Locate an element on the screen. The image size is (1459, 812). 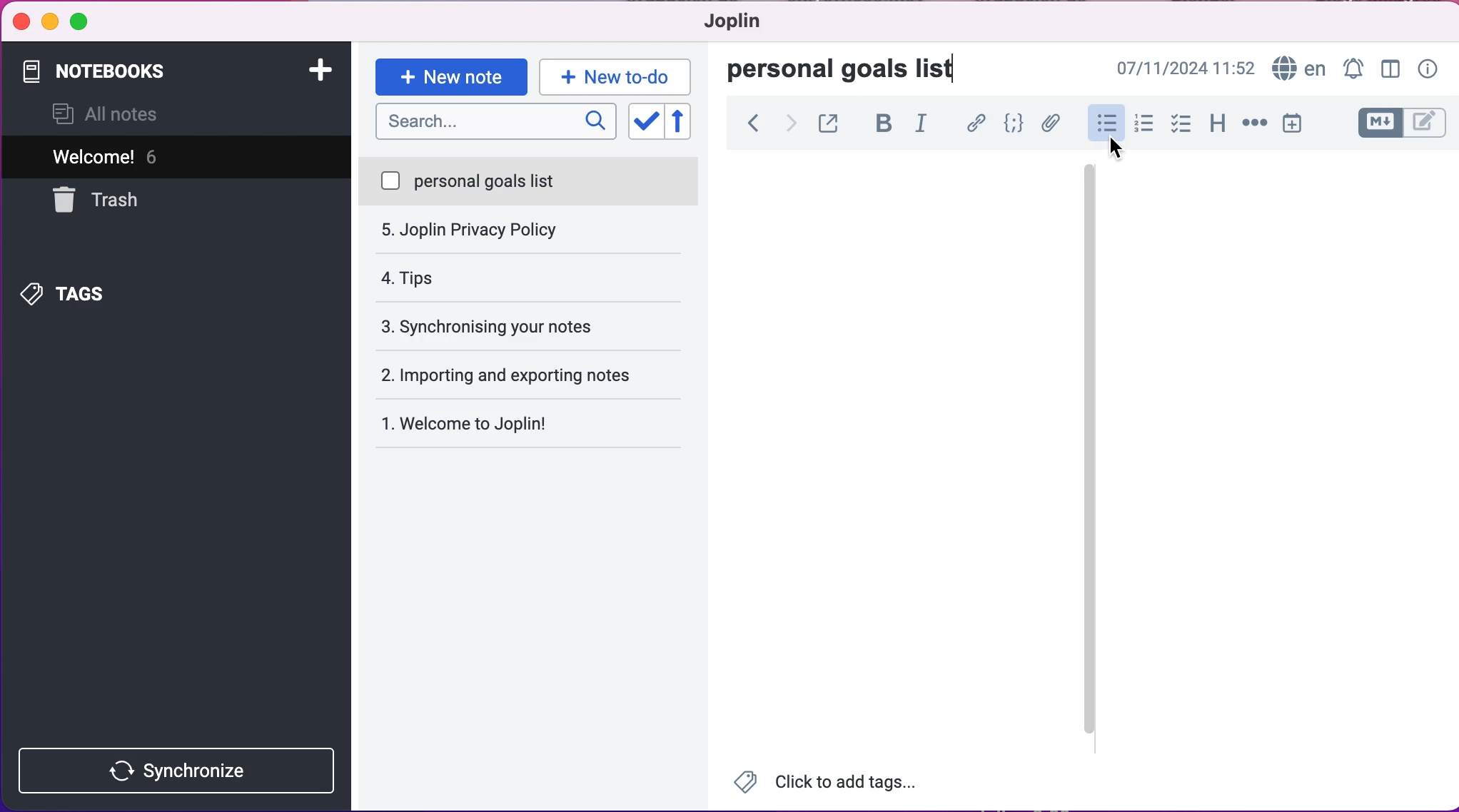
notebooks is located at coordinates (141, 71).